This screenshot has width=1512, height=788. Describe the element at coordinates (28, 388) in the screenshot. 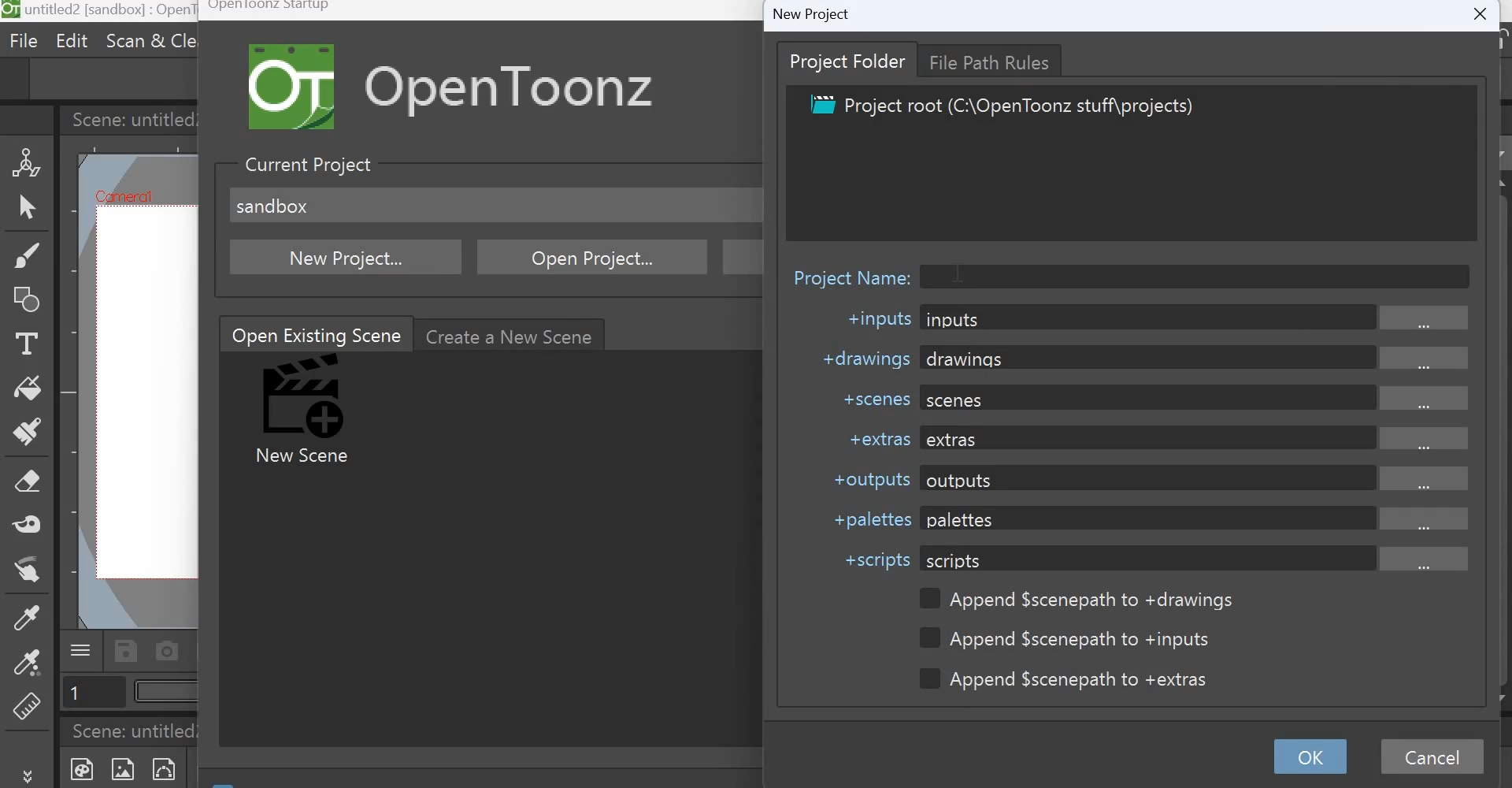

I see `Fill tool` at that location.